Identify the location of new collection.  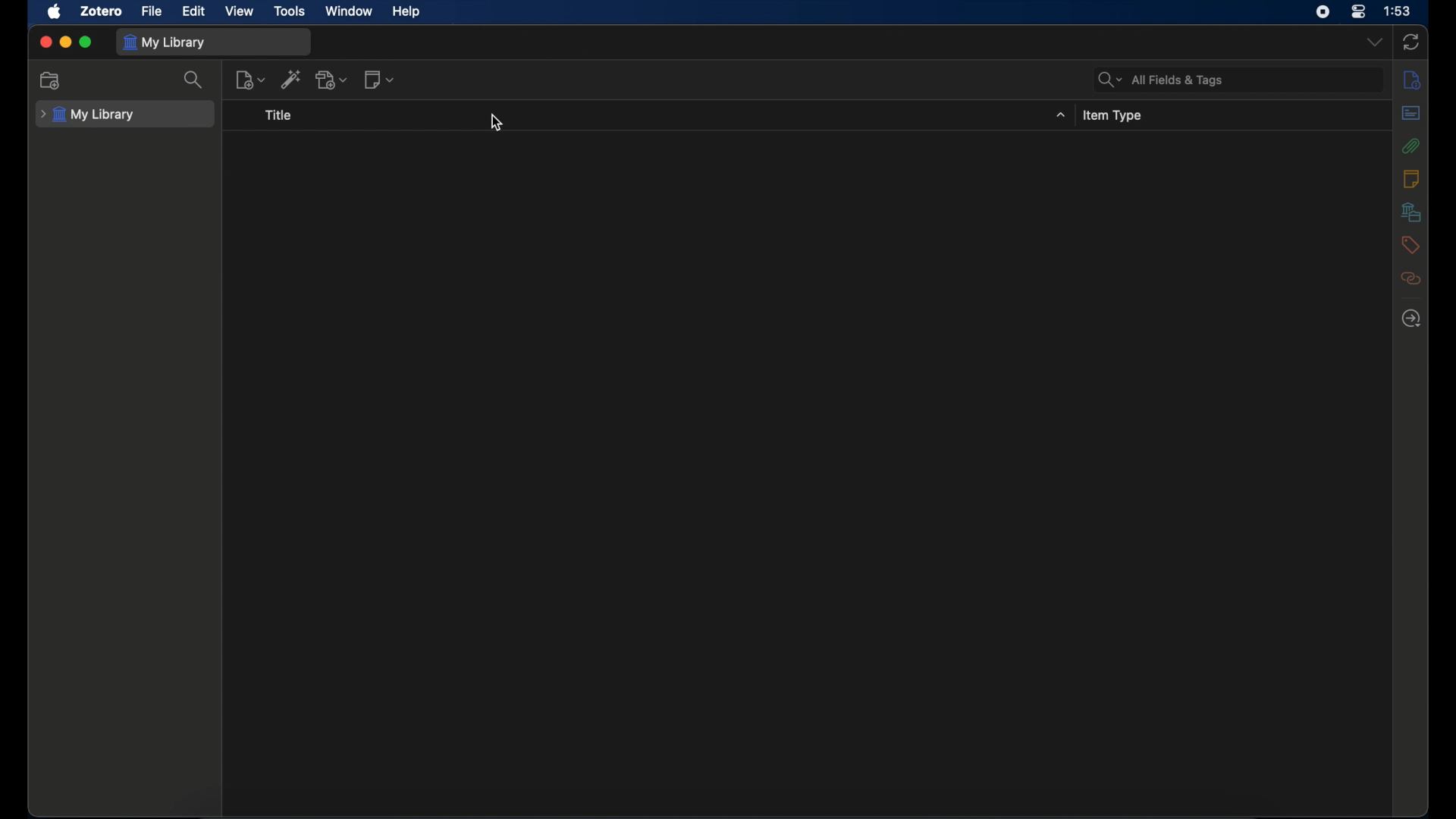
(51, 81).